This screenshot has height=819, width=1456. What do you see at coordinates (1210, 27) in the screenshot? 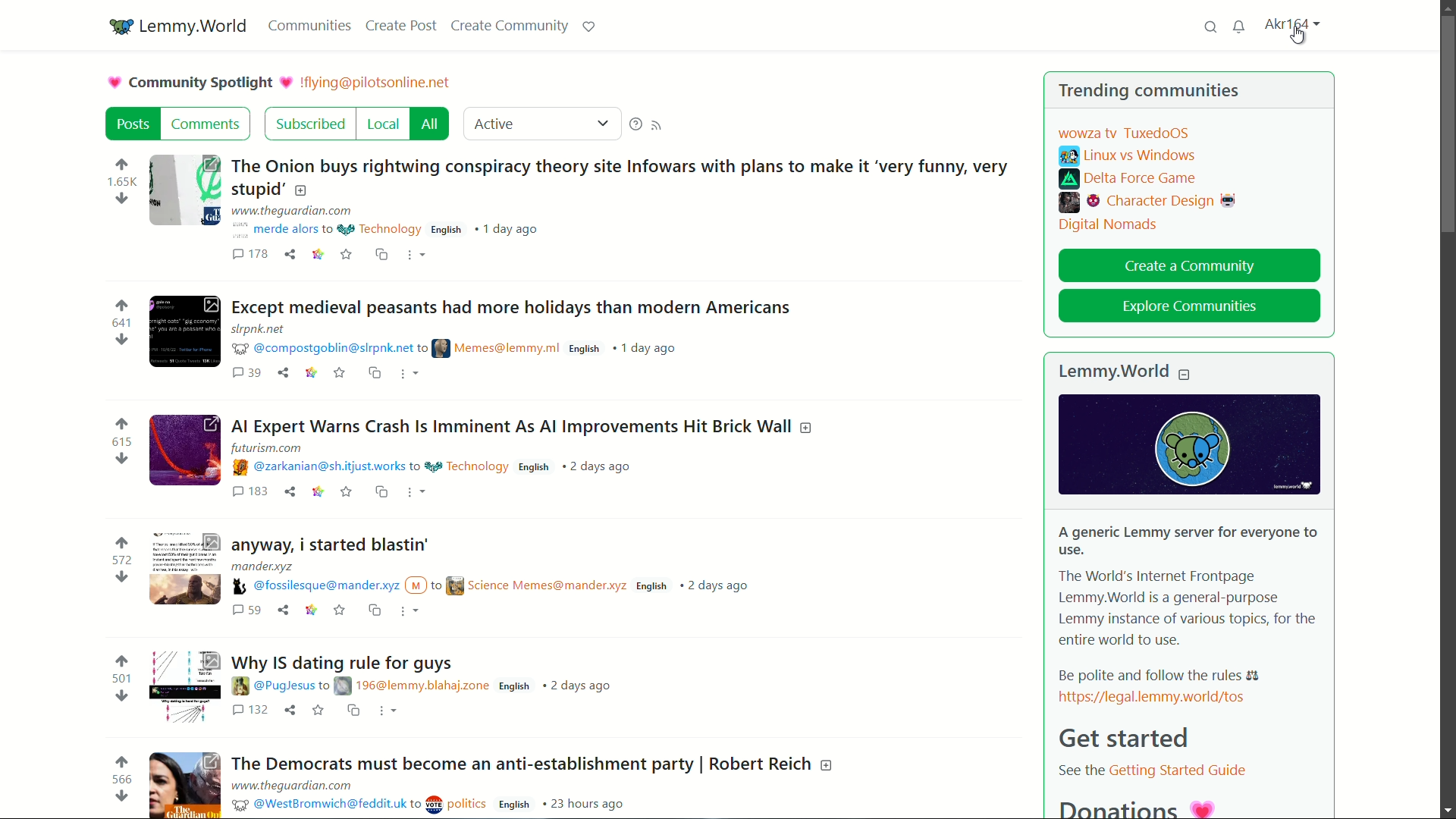
I see `search` at bounding box center [1210, 27].